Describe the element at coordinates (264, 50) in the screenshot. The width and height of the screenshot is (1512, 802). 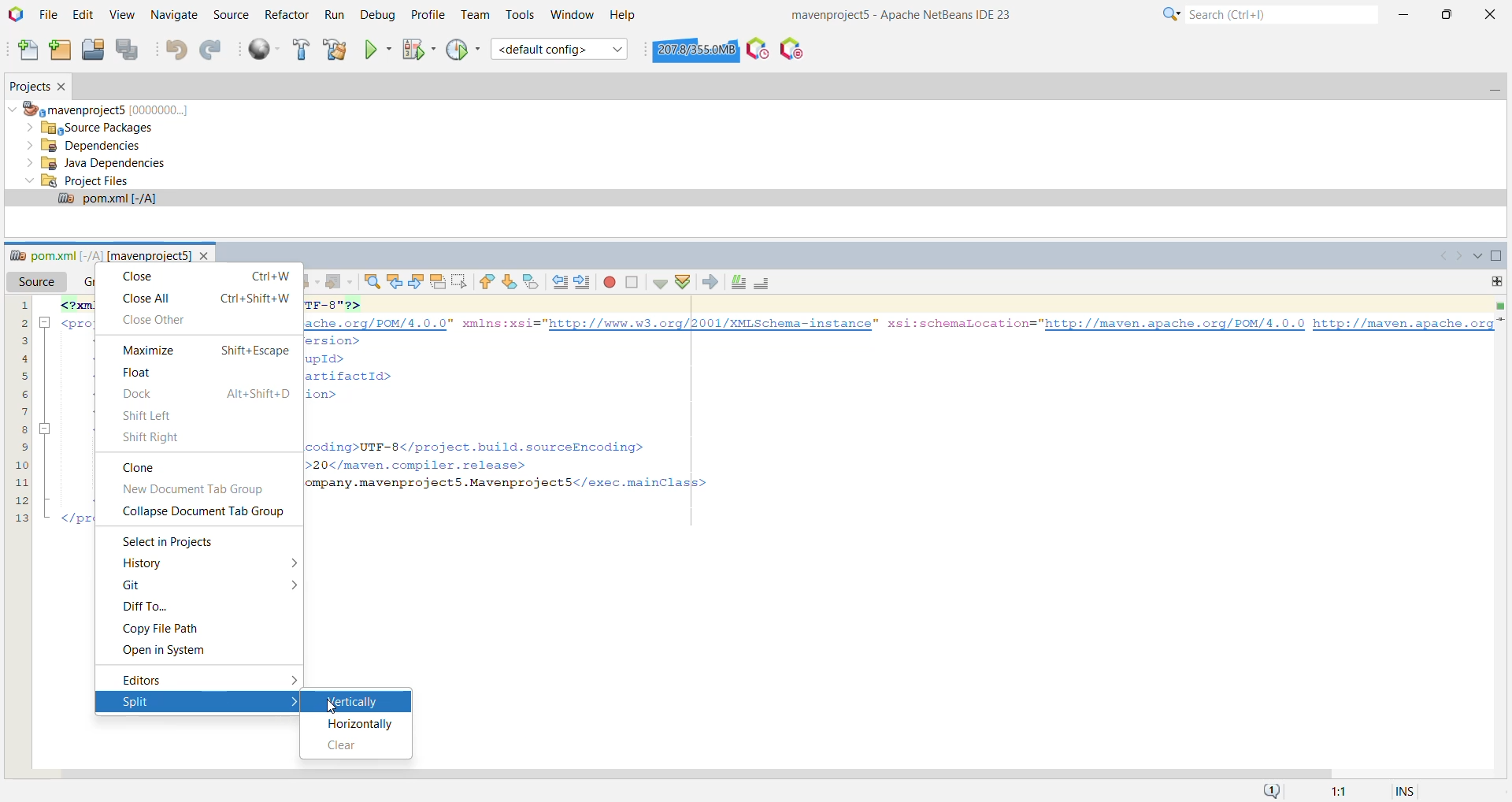
I see `Run All` at that location.